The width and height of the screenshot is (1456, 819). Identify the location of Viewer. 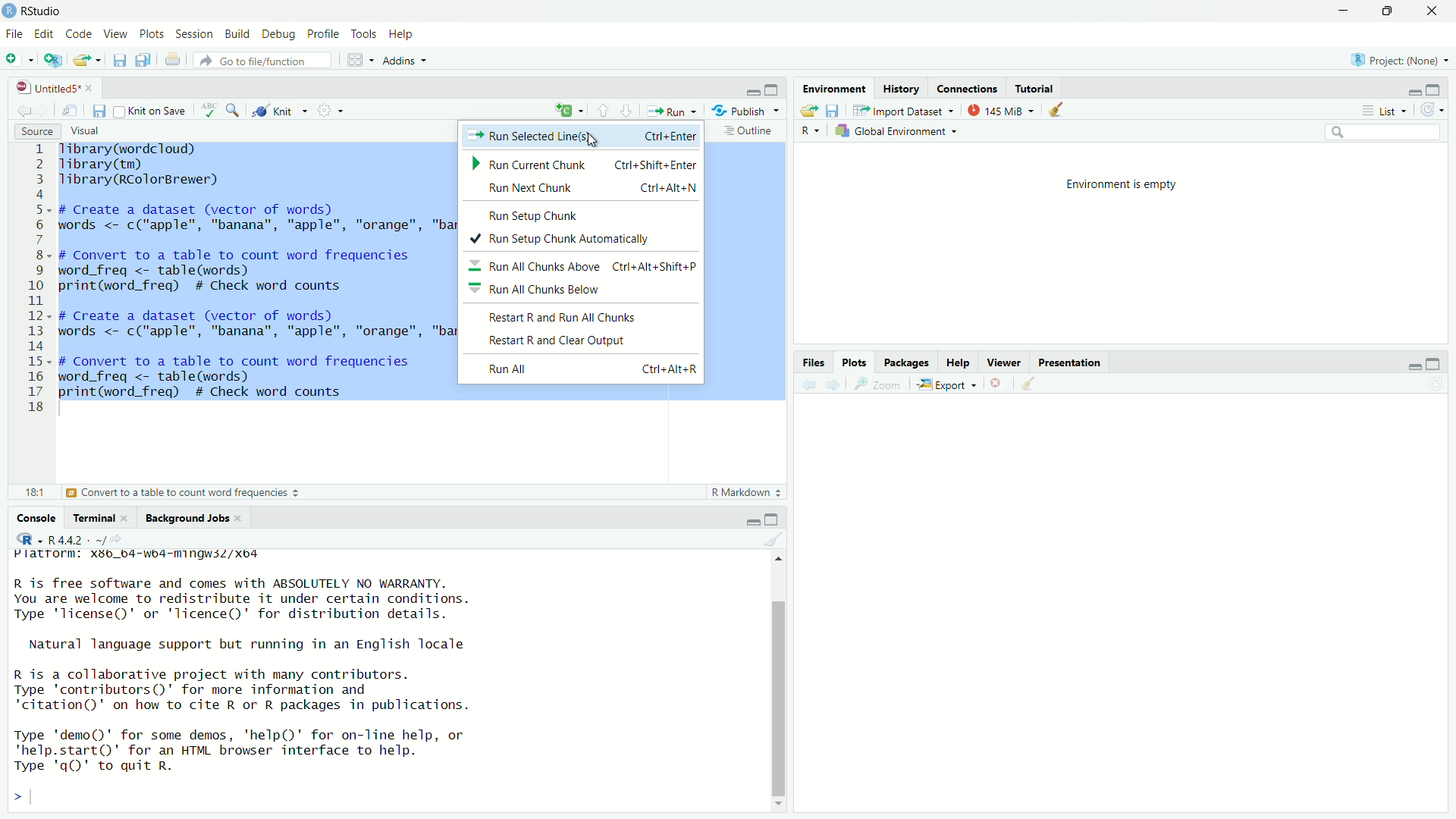
(1005, 362).